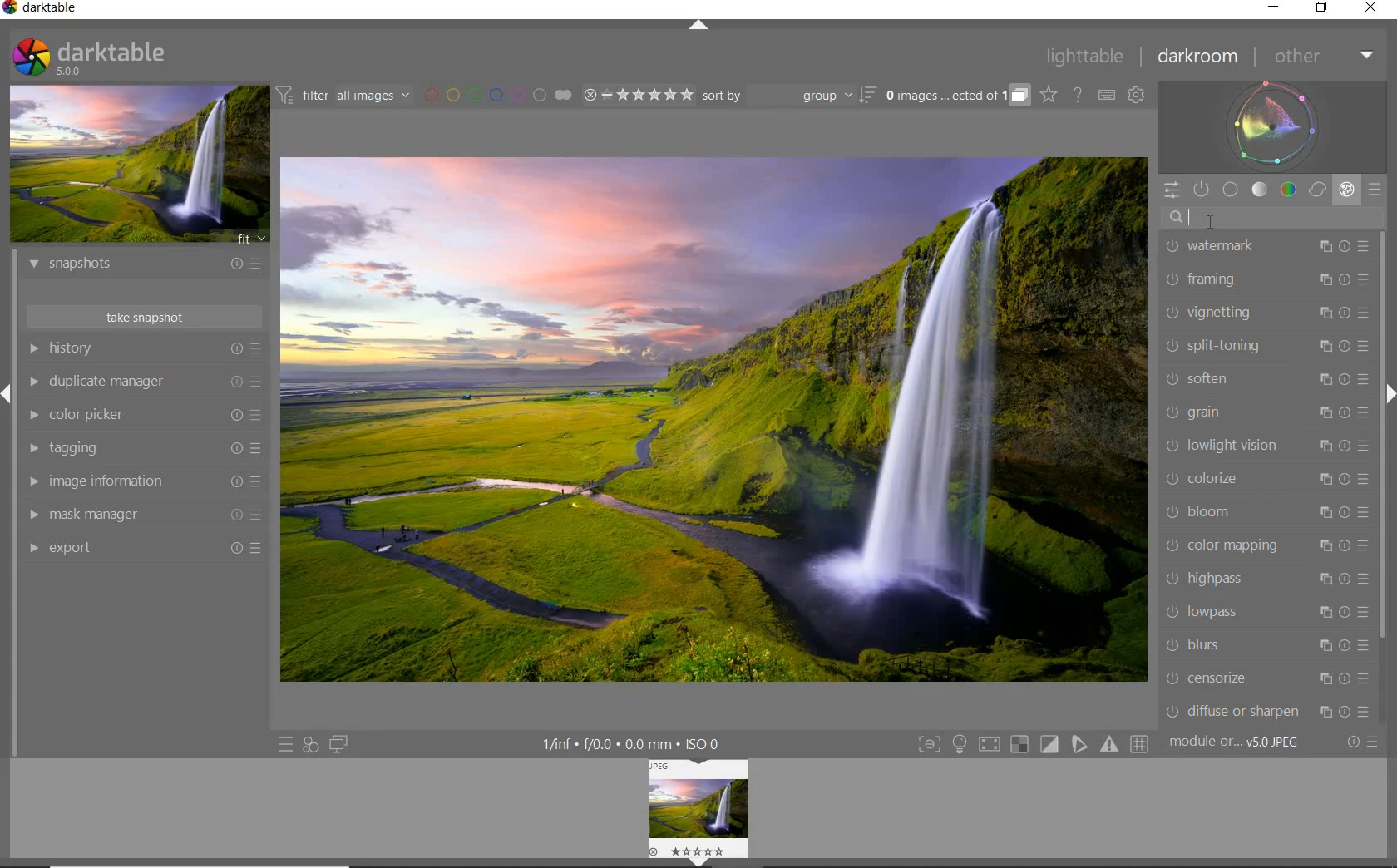  Describe the element at coordinates (144, 448) in the screenshot. I see `tagging` at that location.